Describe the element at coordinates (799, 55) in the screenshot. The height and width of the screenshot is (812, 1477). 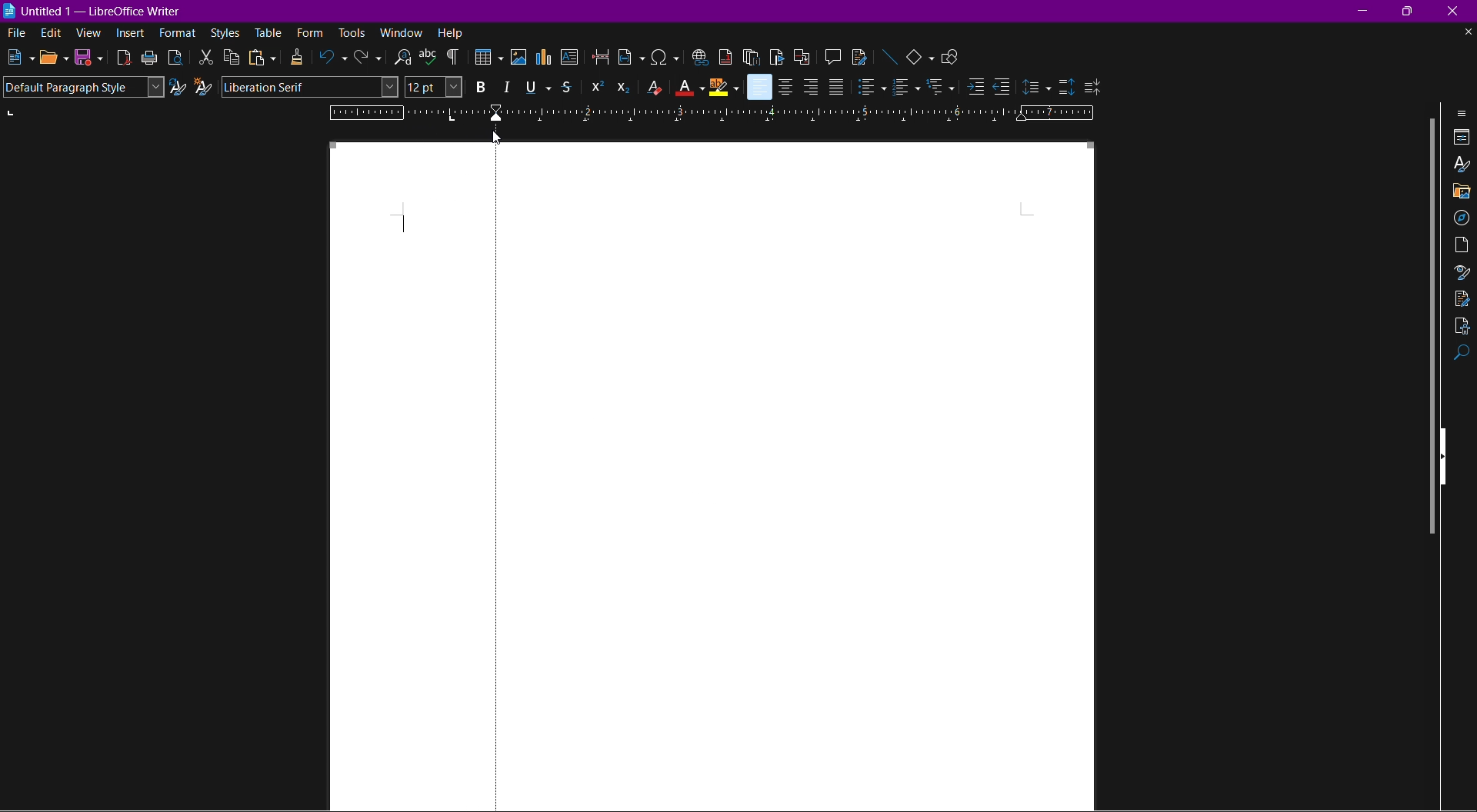
I see `Insert Cross-Reference` at that location.